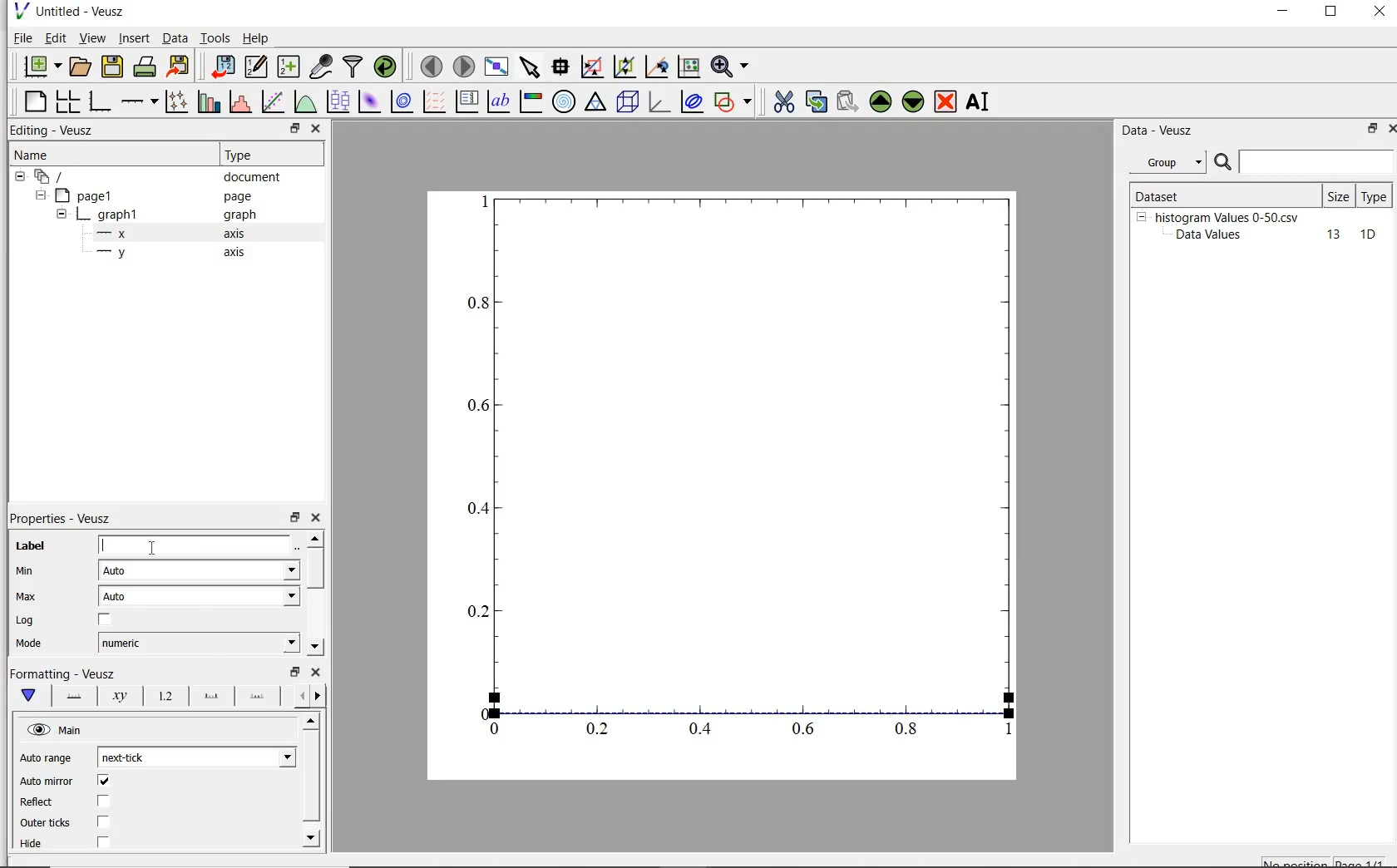 The height and width of the screenshot is (868, 1397). Describe the element at coordinates (1166, 162) in the screenshot. I see `group` at that location.